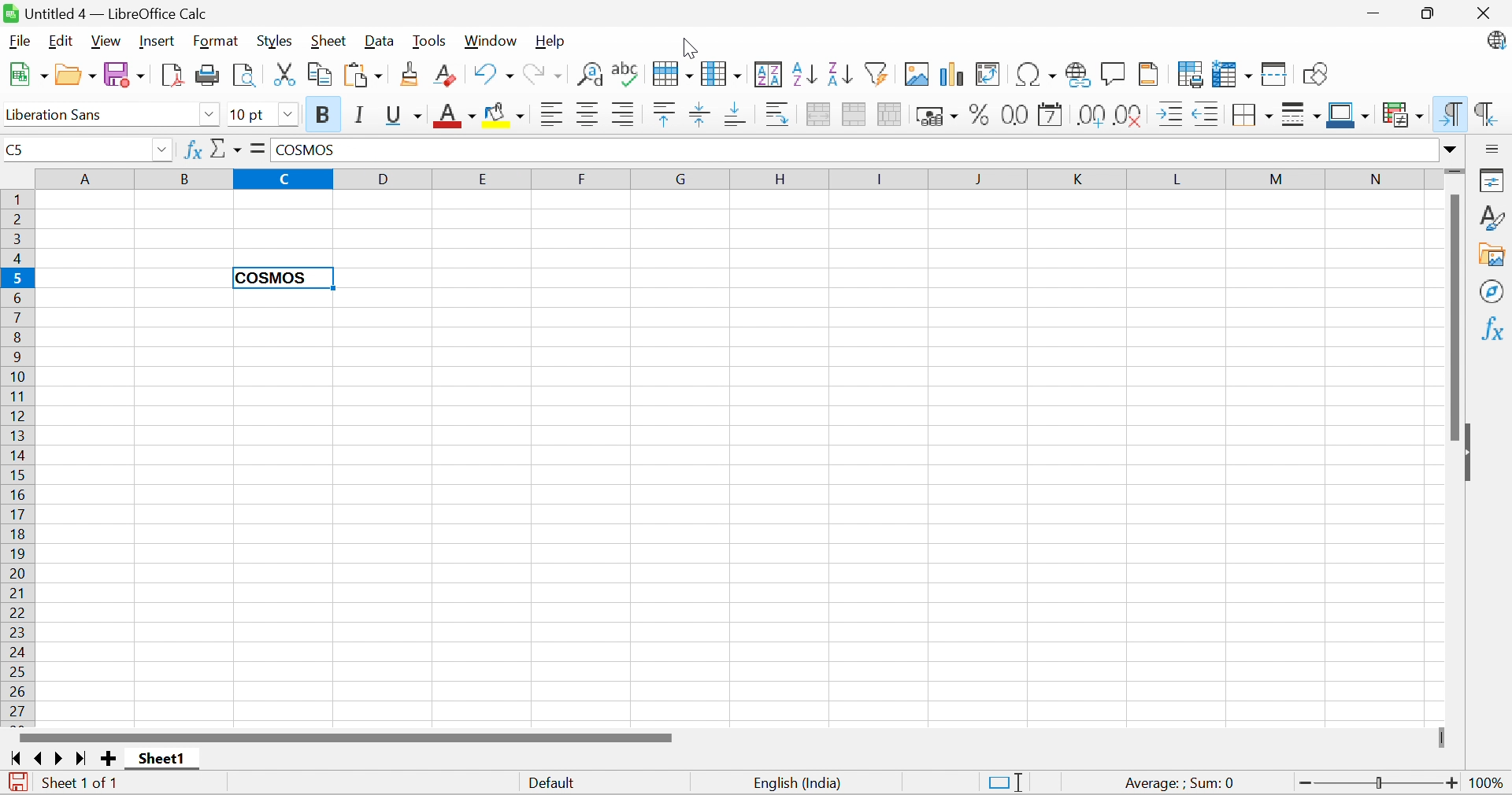  What do you see at coordinates (669, 76) in the screenshot?
I see `Row` at bounding box center [669, 76].